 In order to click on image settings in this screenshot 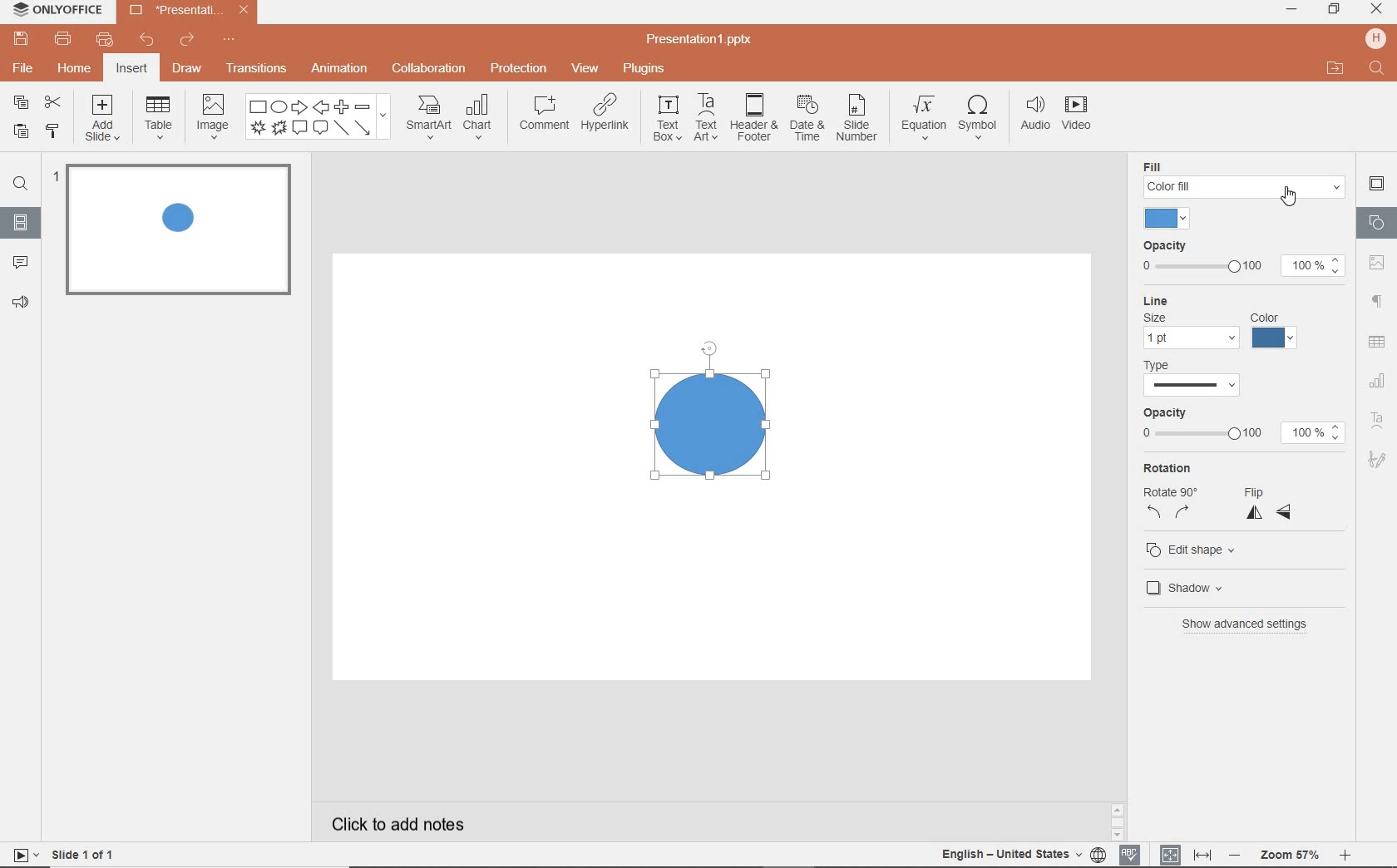, I will do `click(1380, 261)`.